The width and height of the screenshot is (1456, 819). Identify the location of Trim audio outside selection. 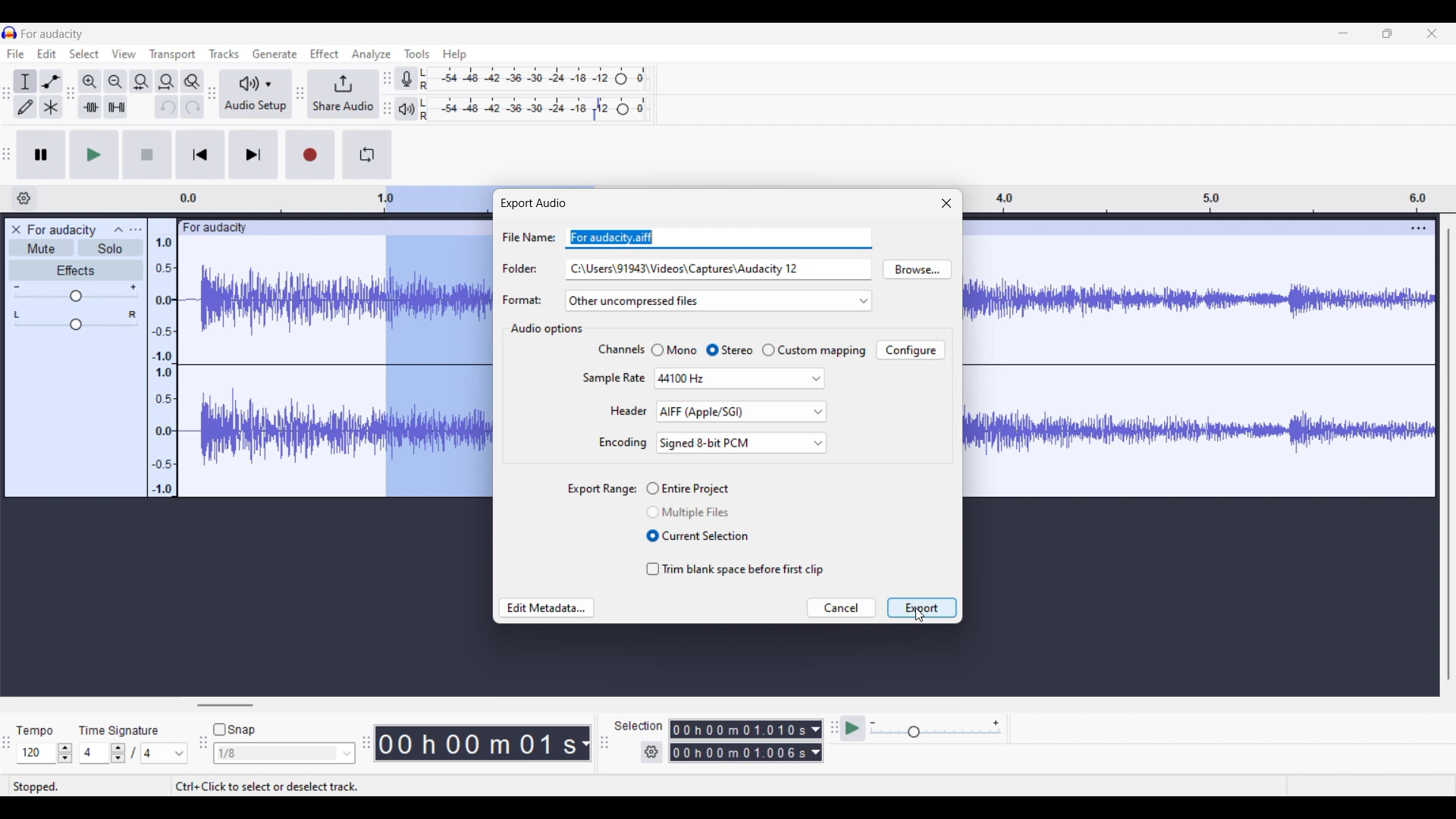
(90, 107).